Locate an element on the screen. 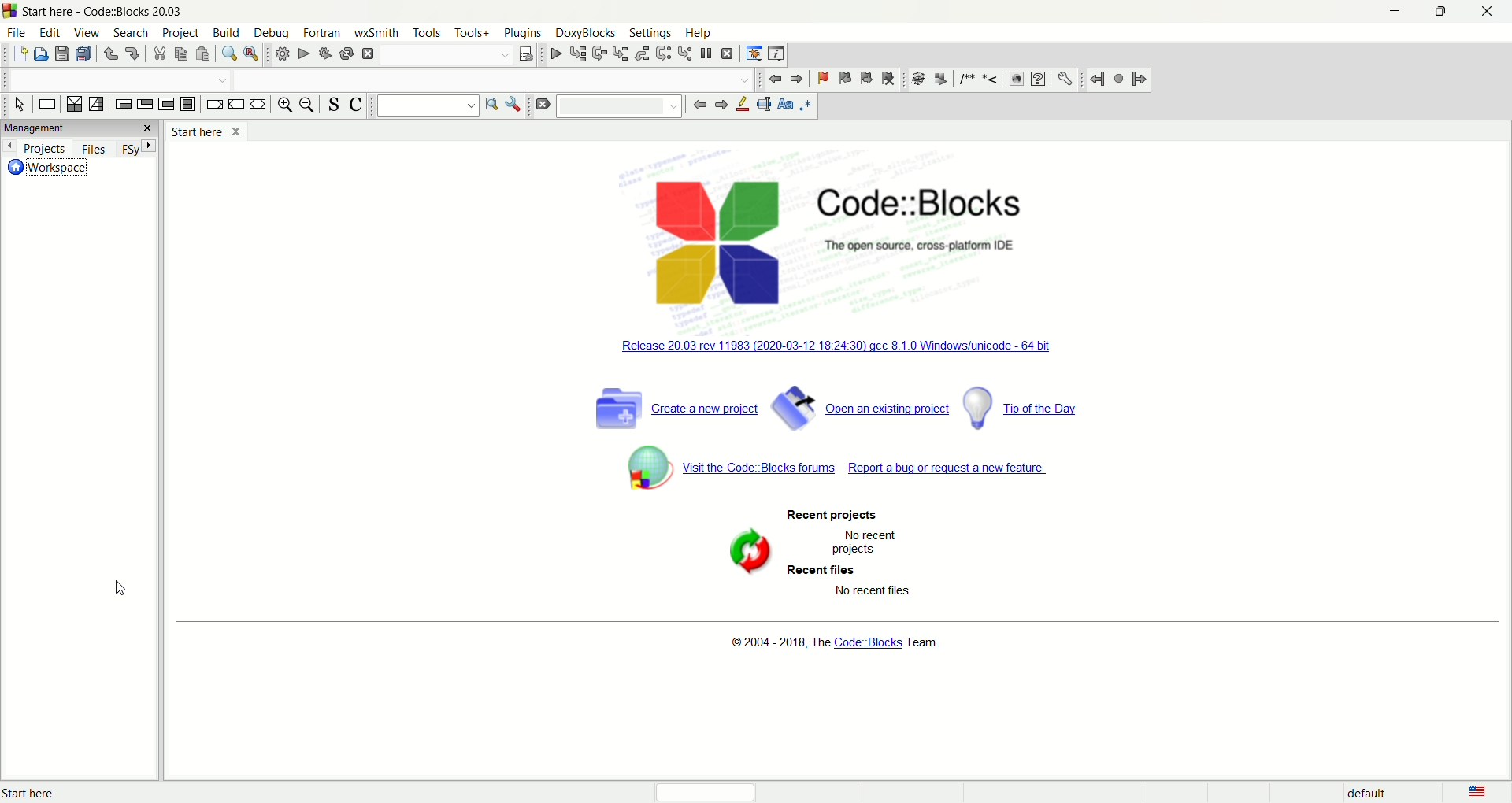 This screenshot has width=1512, height=803. return instruction is located at coordinates (258, 104).